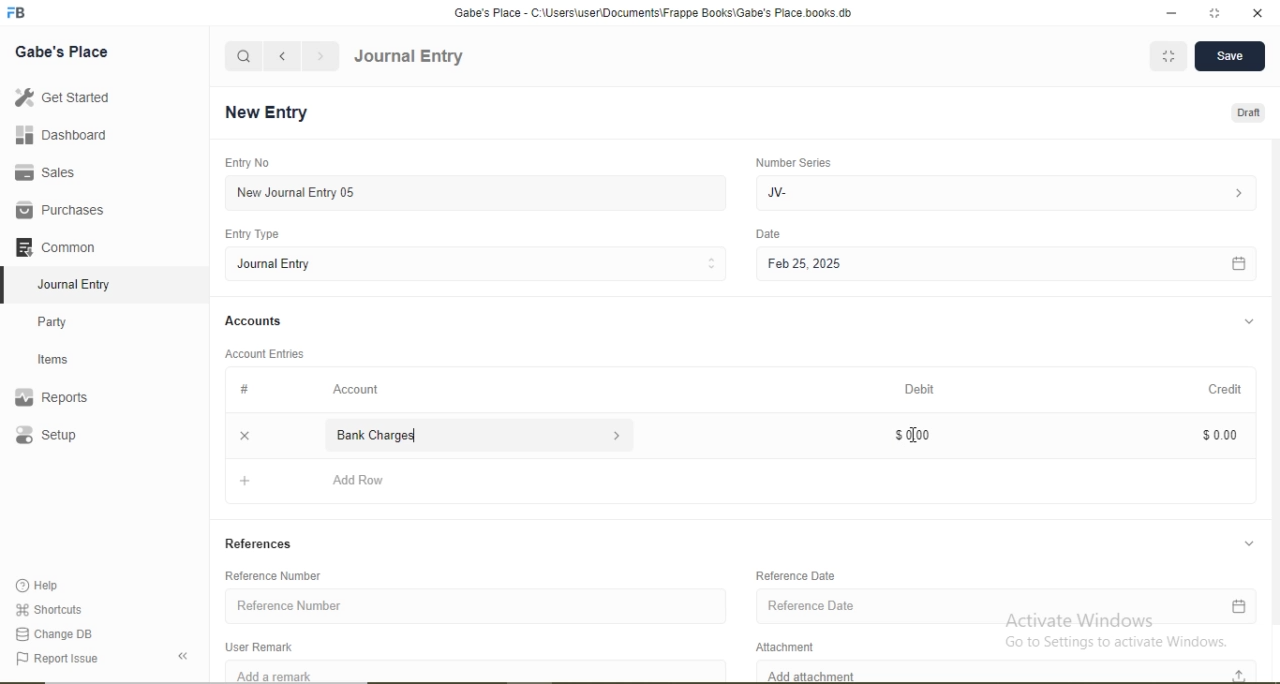 Image resolution: width=1280 pixels, height=684 pixels. Describe the element at coordinates (1250, 114) in the screenshot. I see `Draft` at that location.